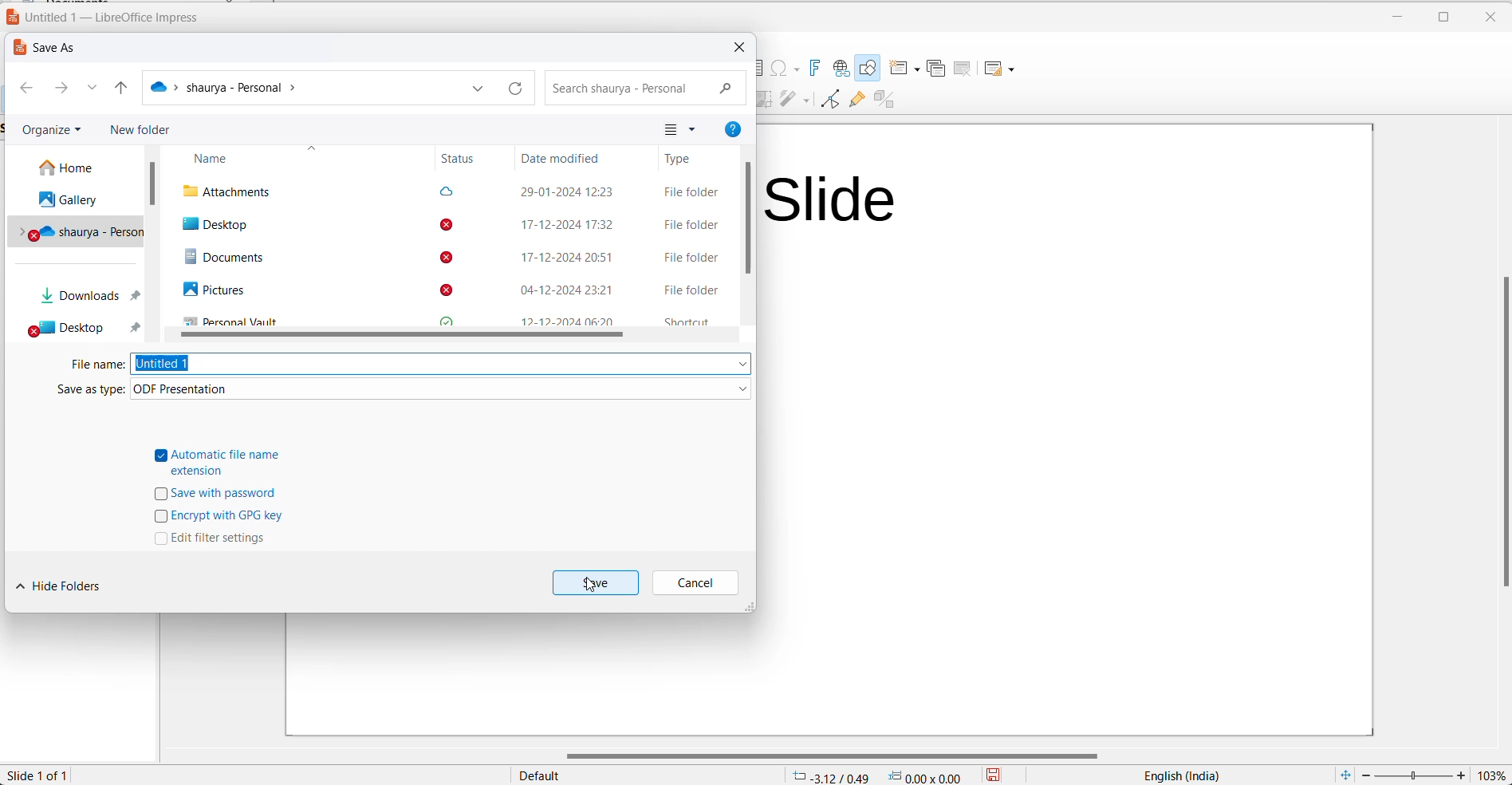 The image size is (1512, 785). I want to click on zoom slider, so click(1414, 775).